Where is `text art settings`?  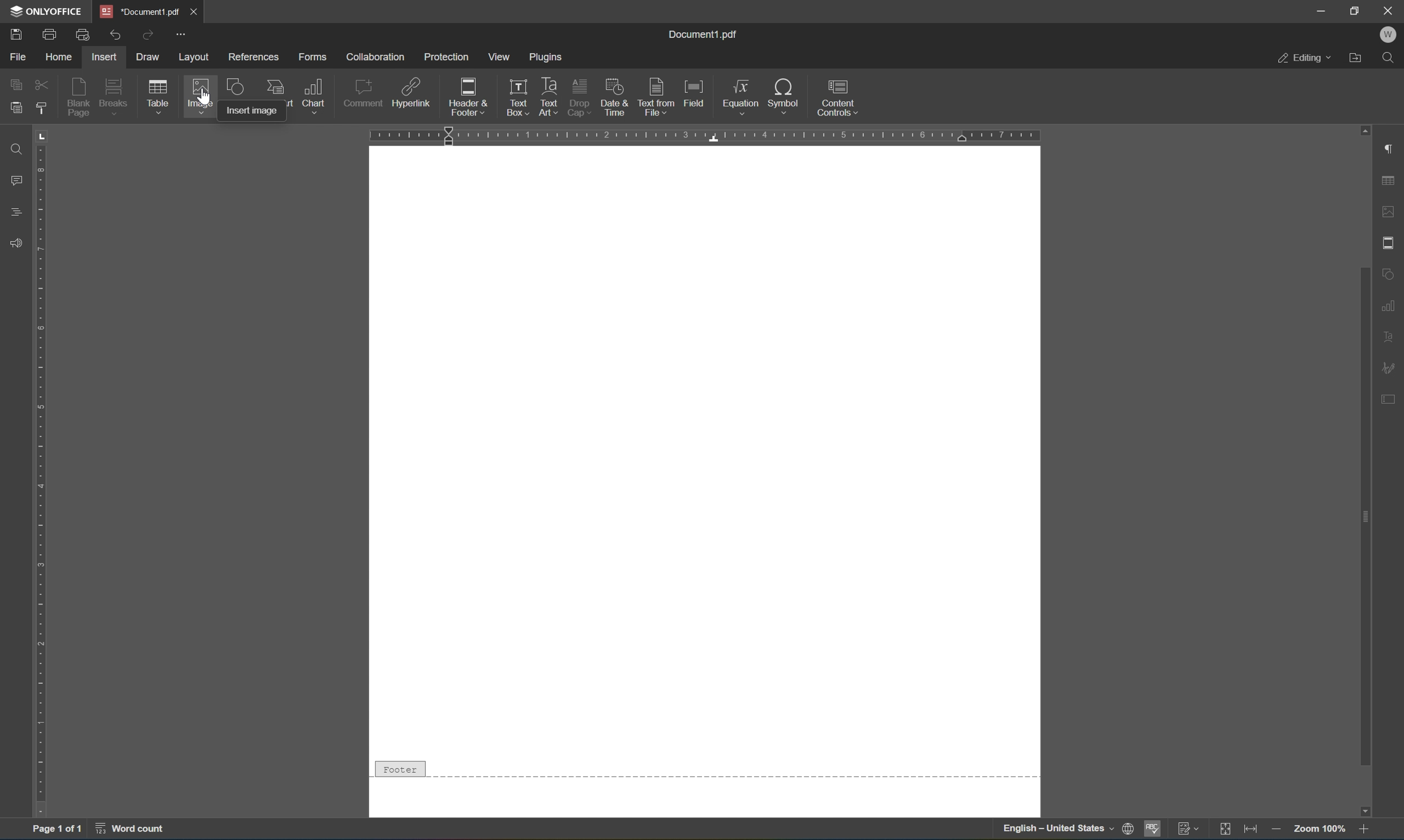 text art settings is located at coordinates (1391, 337).